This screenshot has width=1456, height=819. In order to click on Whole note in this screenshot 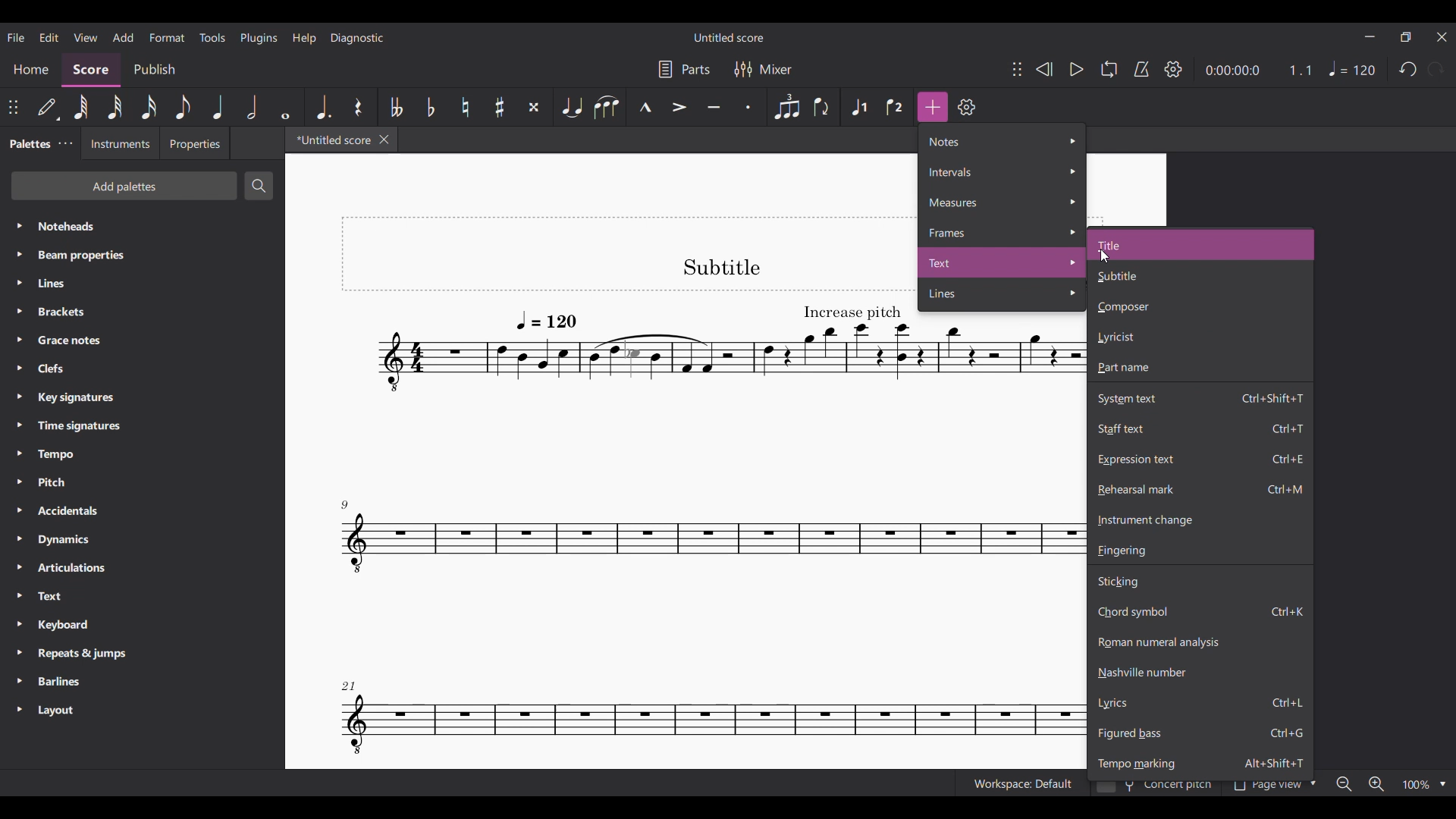, I will do `click(287, 107)`.